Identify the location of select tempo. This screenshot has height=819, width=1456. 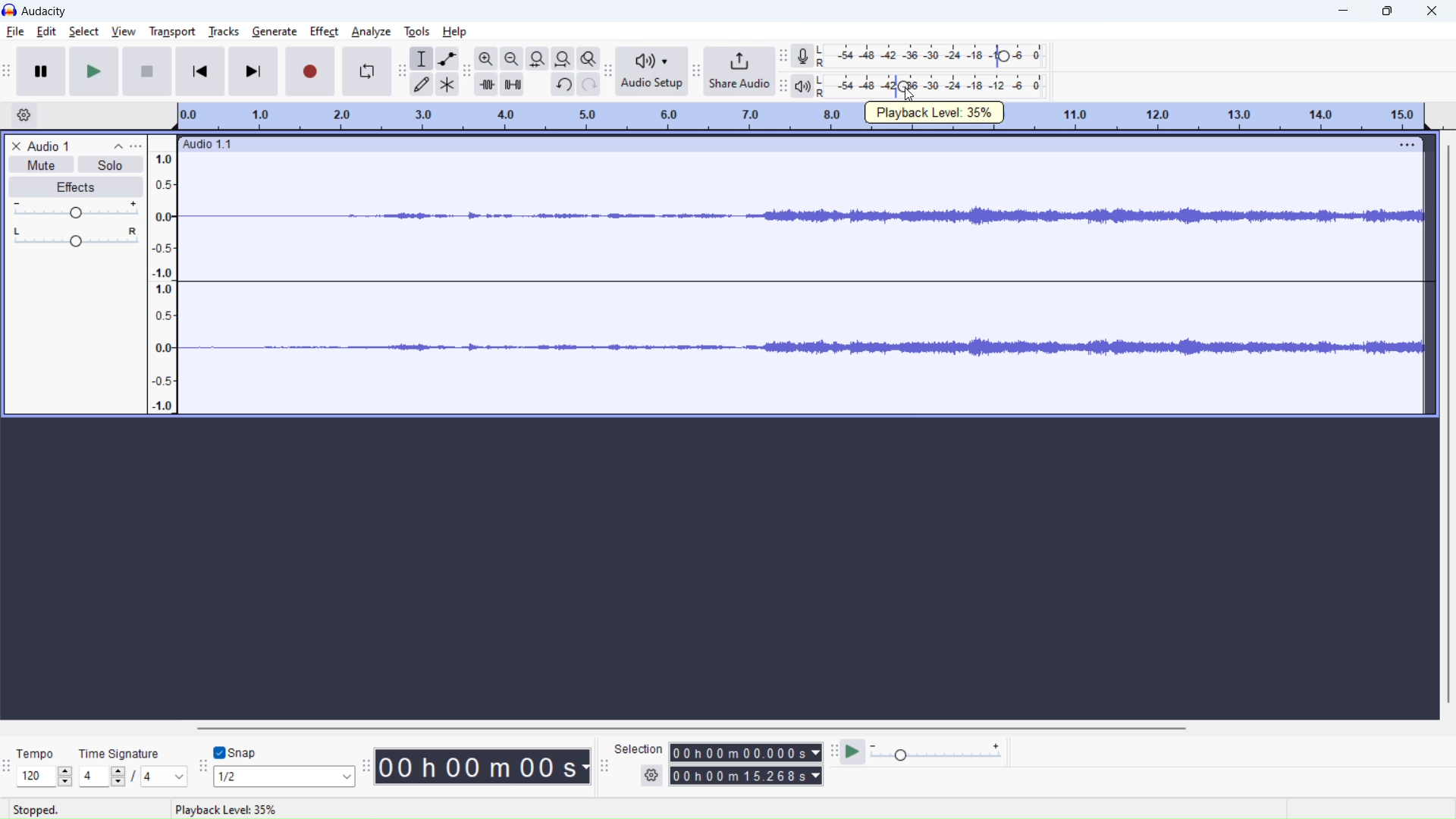
(45, 777).